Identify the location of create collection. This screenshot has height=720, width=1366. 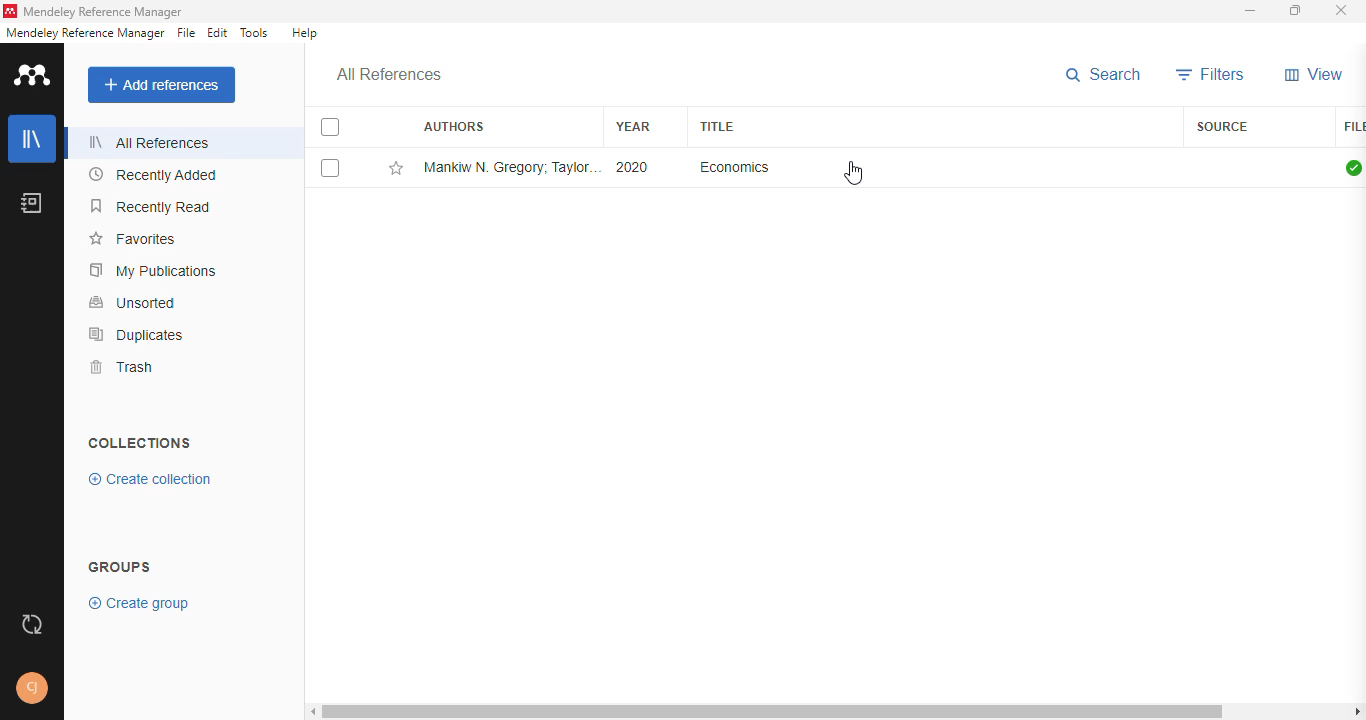
(149, 481).